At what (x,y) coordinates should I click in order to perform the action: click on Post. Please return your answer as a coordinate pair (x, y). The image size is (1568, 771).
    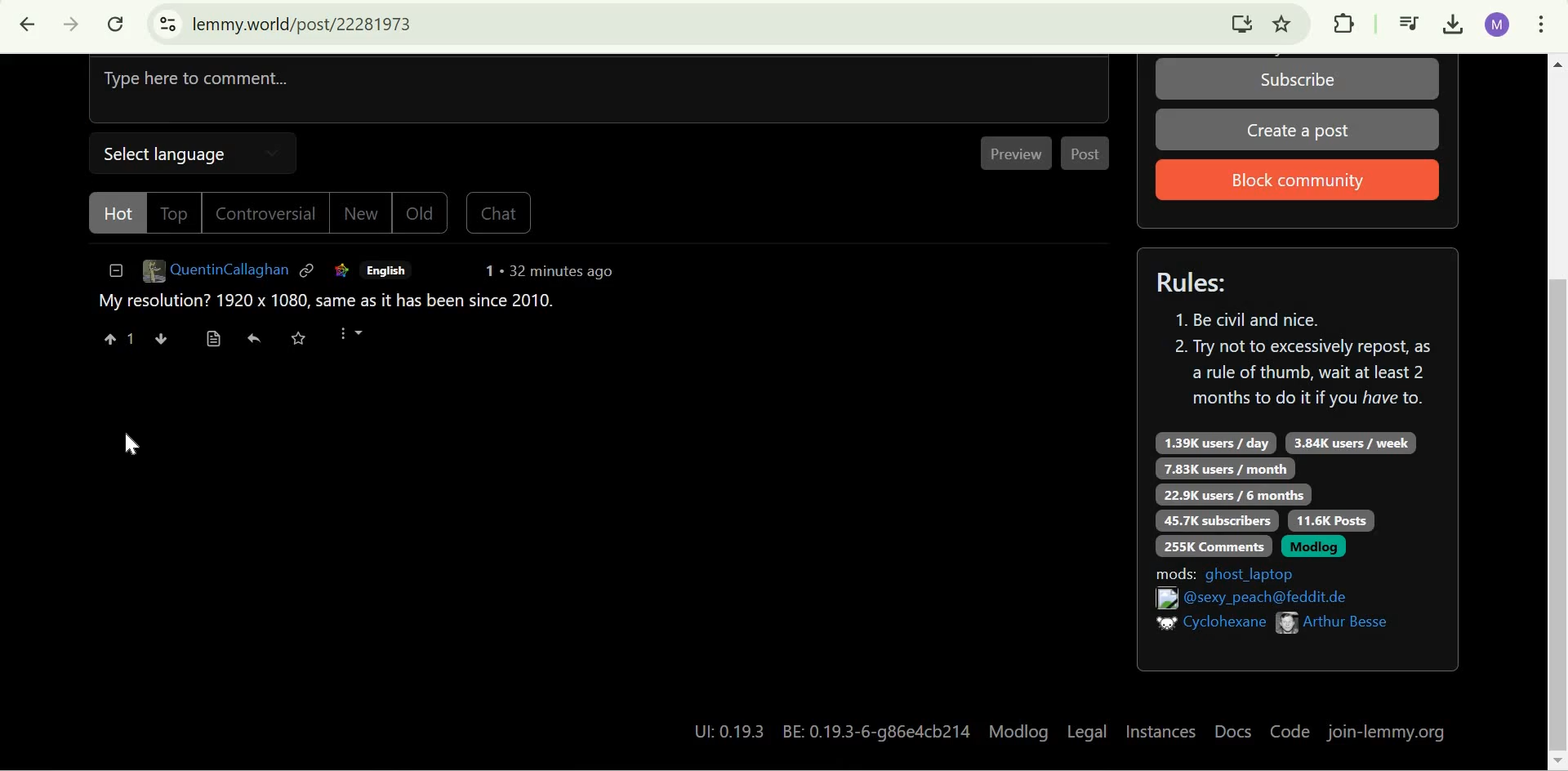
    Looking at the image, I should click on (1086, 155).